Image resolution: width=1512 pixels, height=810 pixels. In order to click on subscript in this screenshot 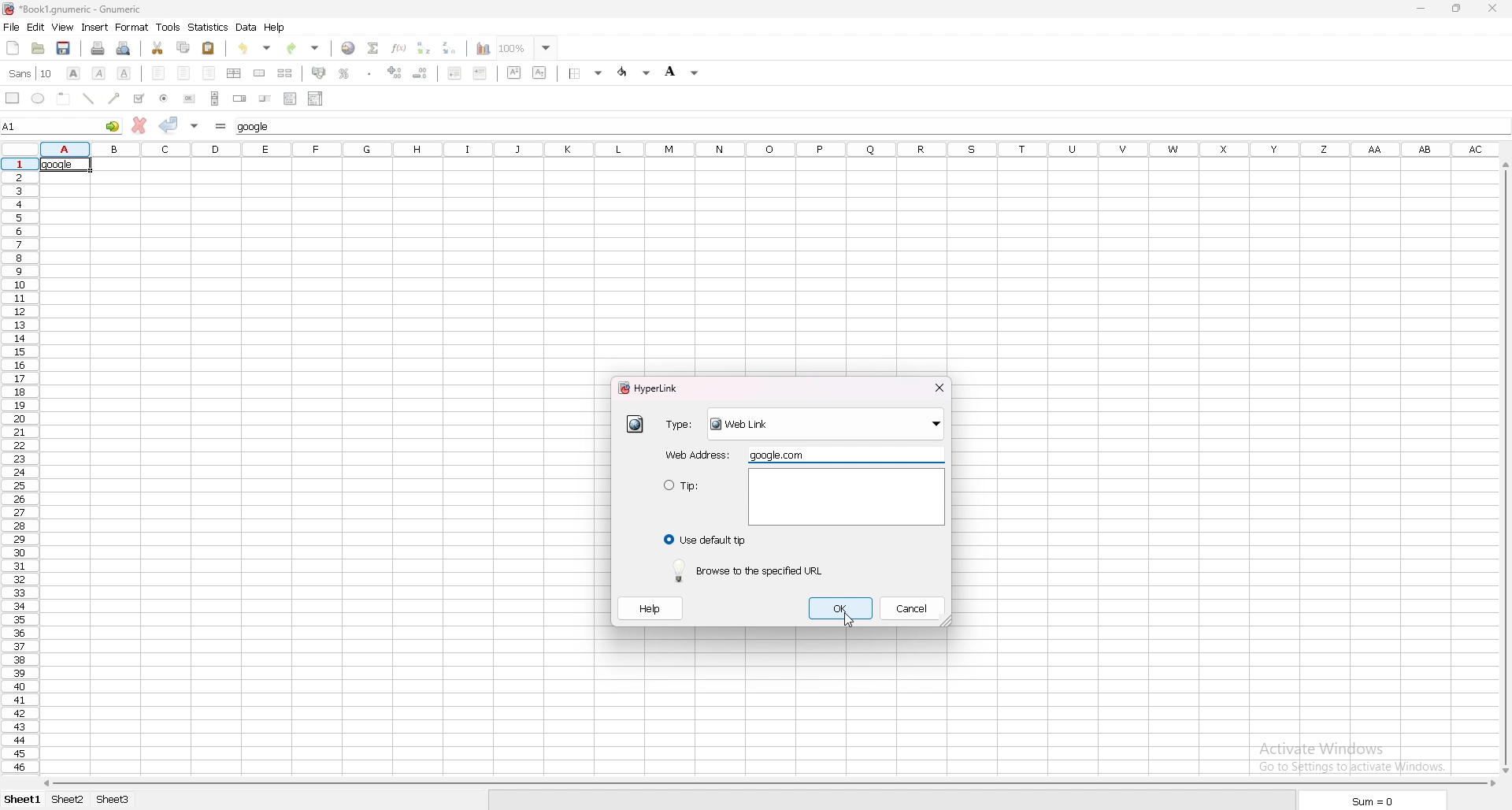, I will do `click(541, 72)`.